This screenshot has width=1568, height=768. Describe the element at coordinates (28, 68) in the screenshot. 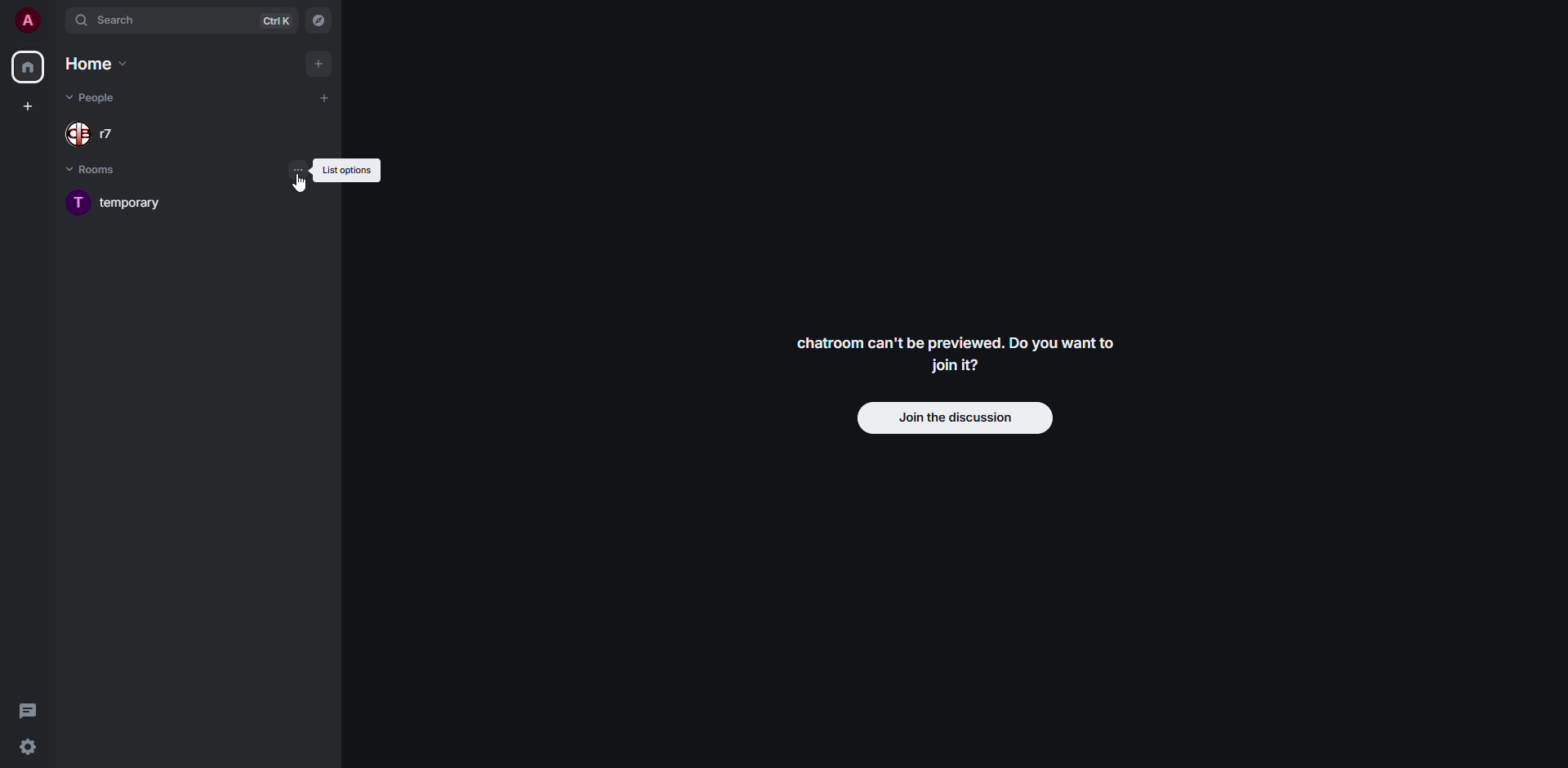

I see `home` at that location.